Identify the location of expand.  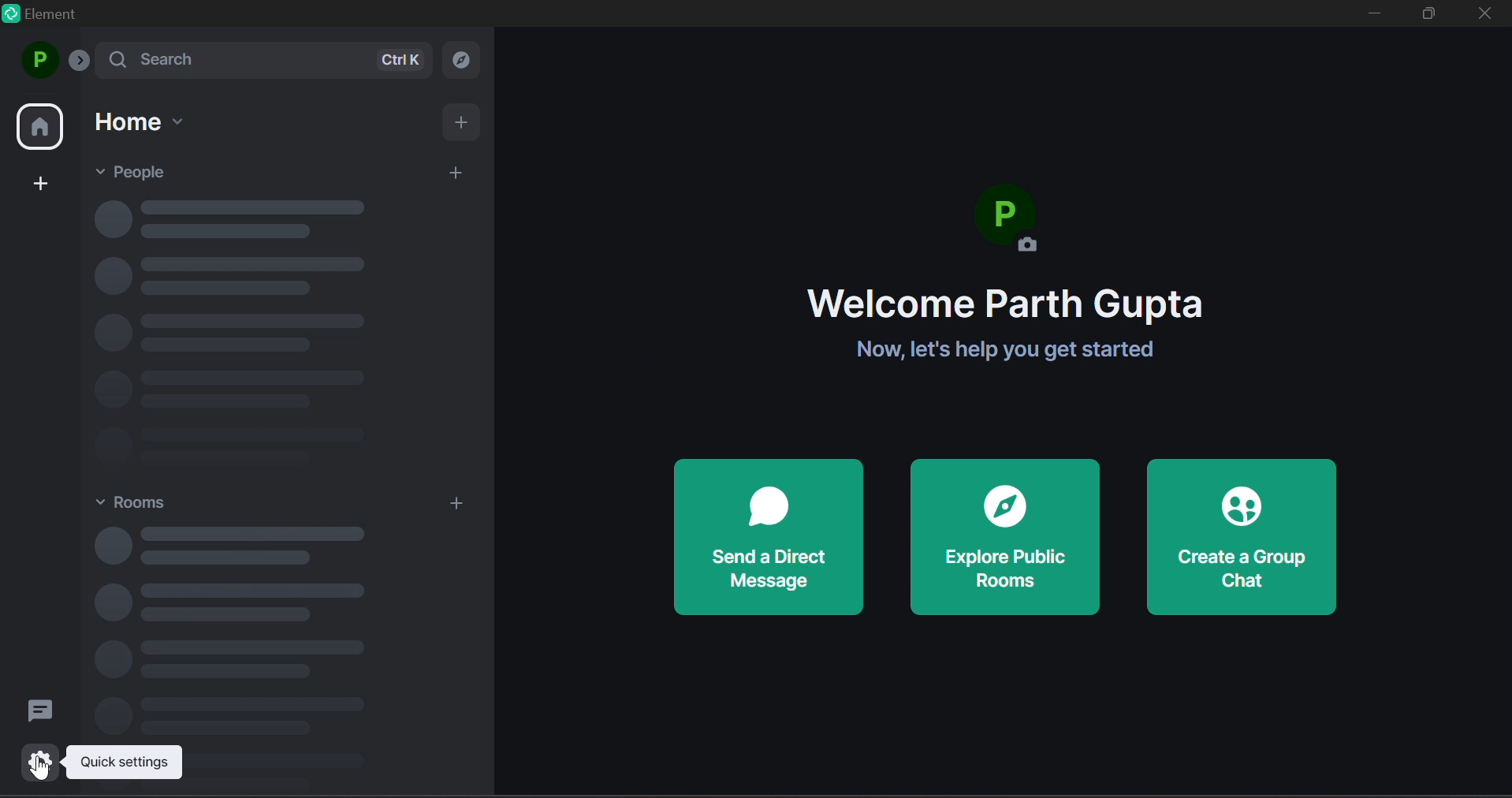
(83, 64).